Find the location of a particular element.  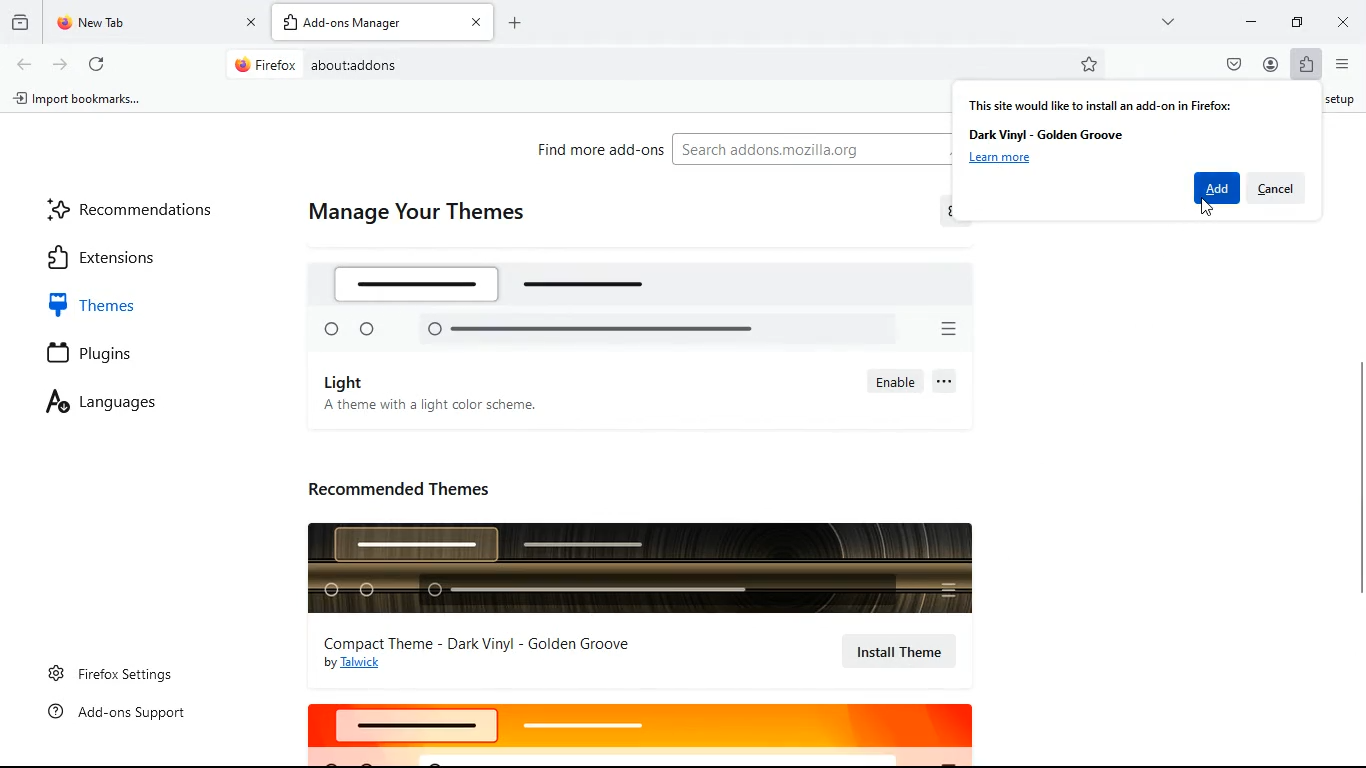

profile is located at coordinates (1271, 68).